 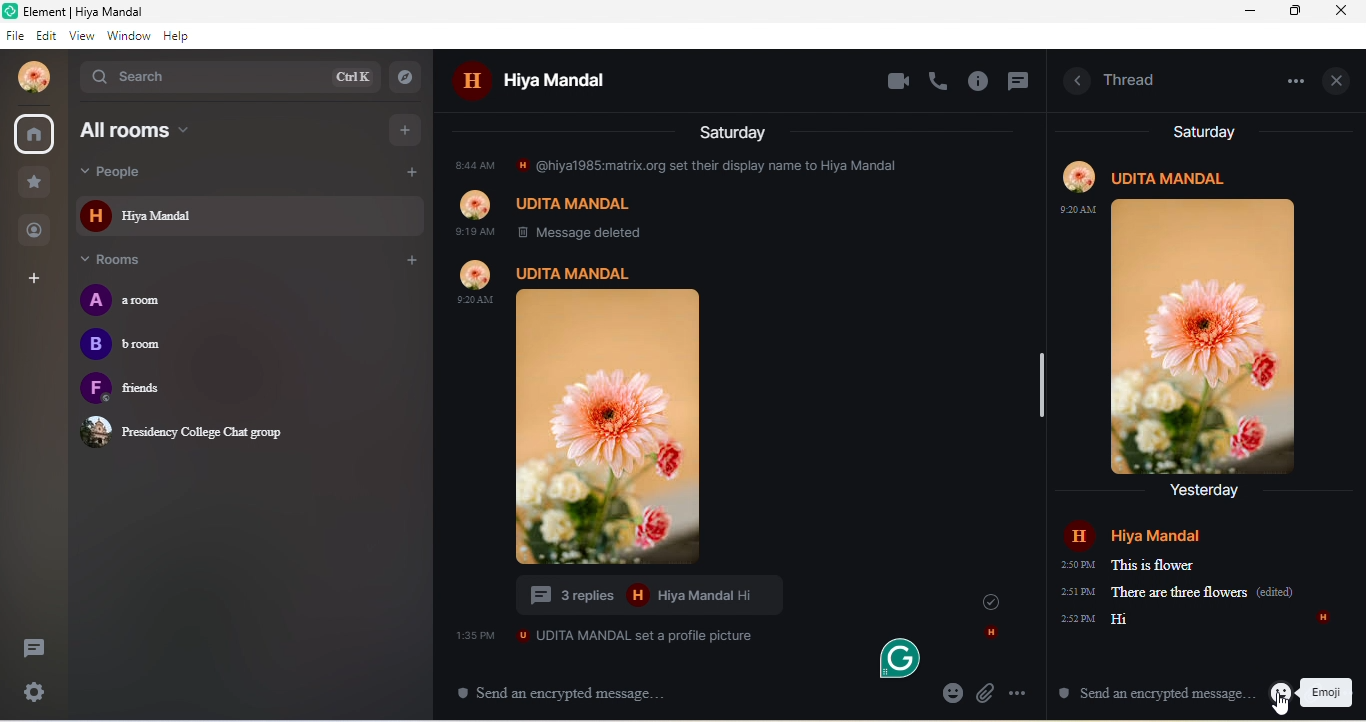 What do you see at coordinates (611, 635) in the screenshot?
I see `Message` at bounding box center [611, 635].